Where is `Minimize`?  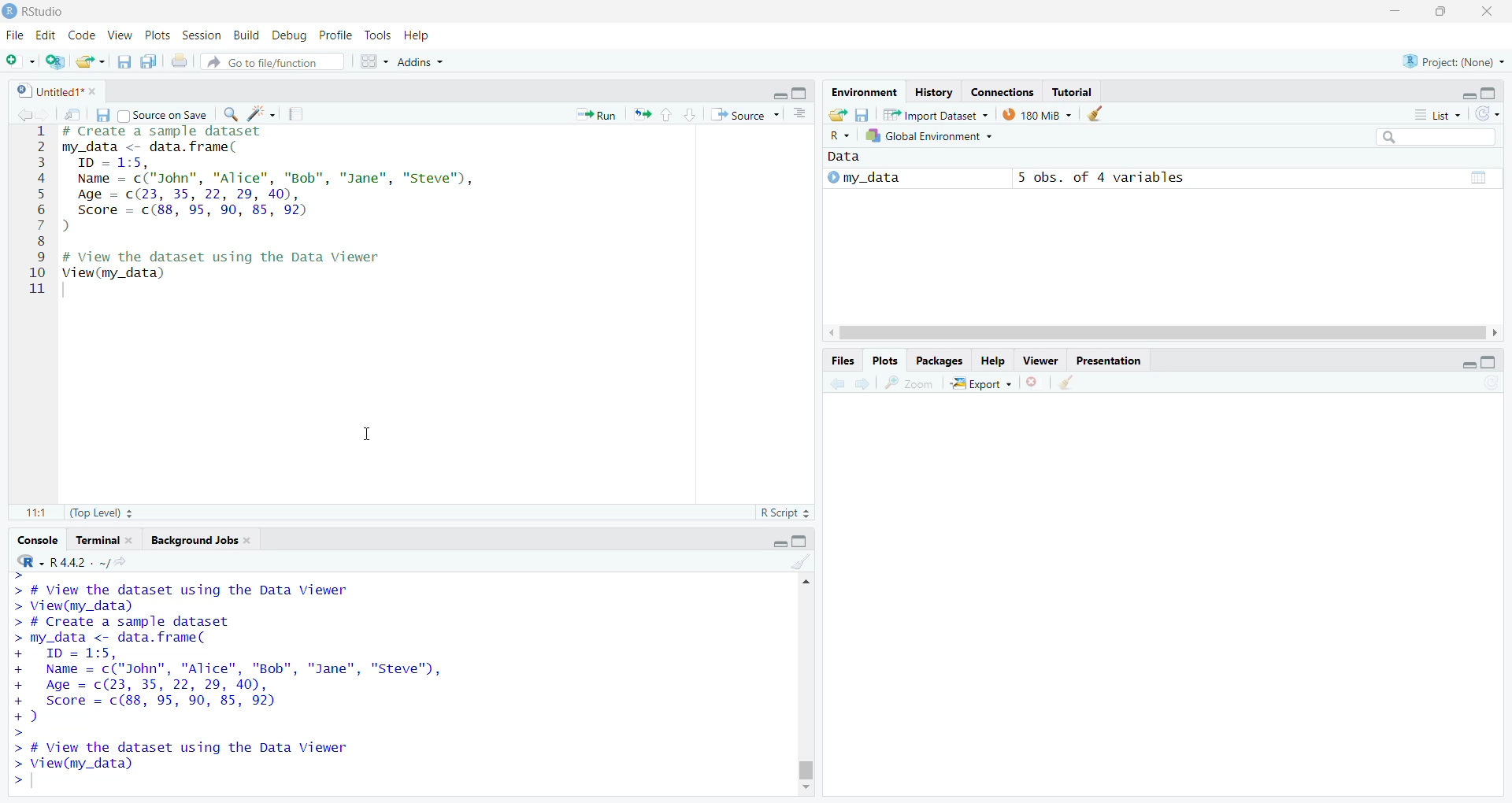
Minimize is located at coordinates (780, 96).